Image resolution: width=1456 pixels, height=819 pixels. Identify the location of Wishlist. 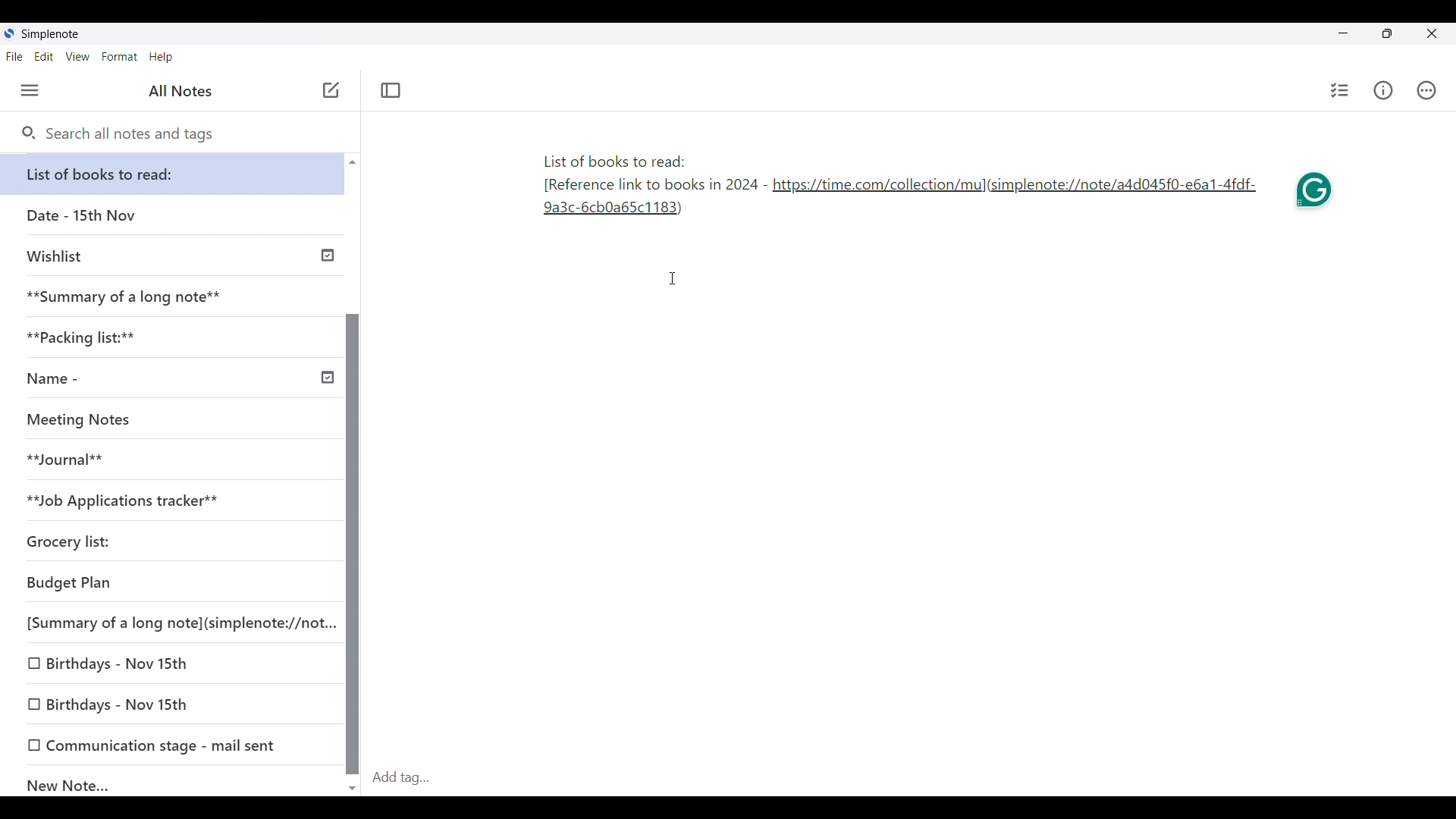
(176, 254).